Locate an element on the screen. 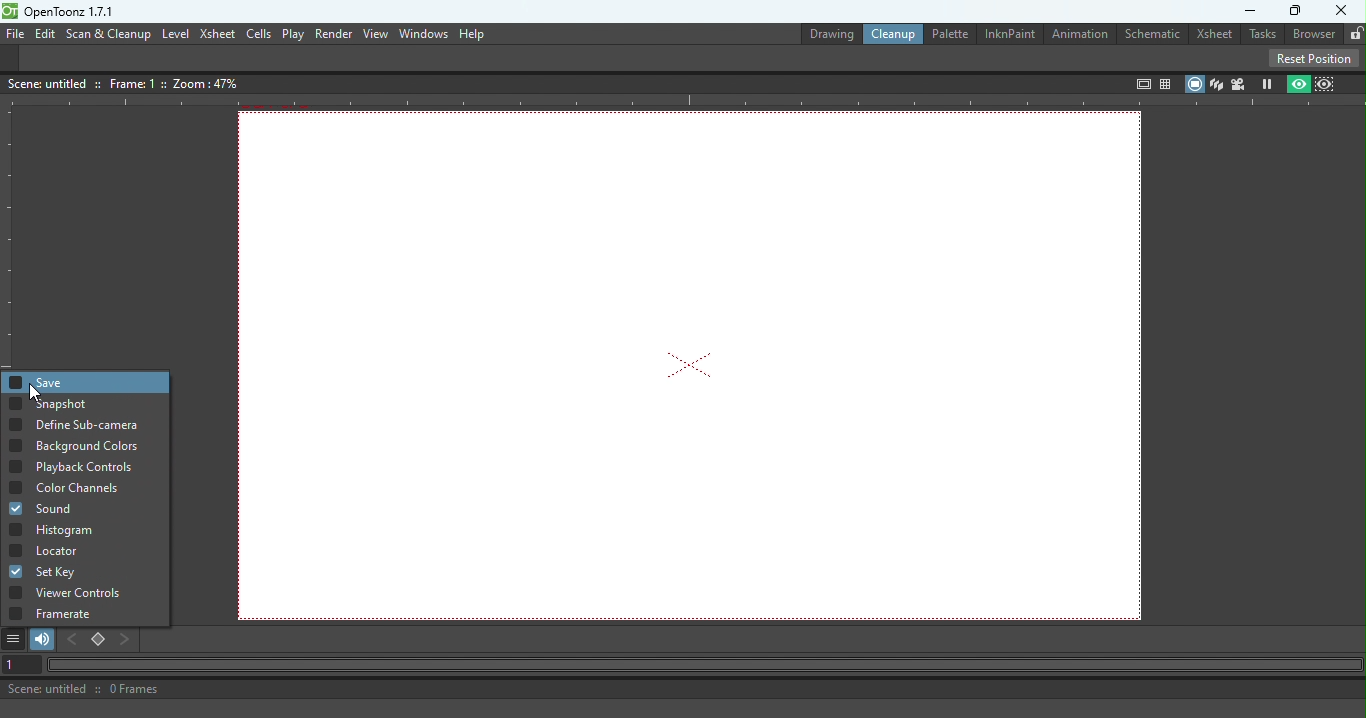  Cursor is located at coordinates (35, 395).